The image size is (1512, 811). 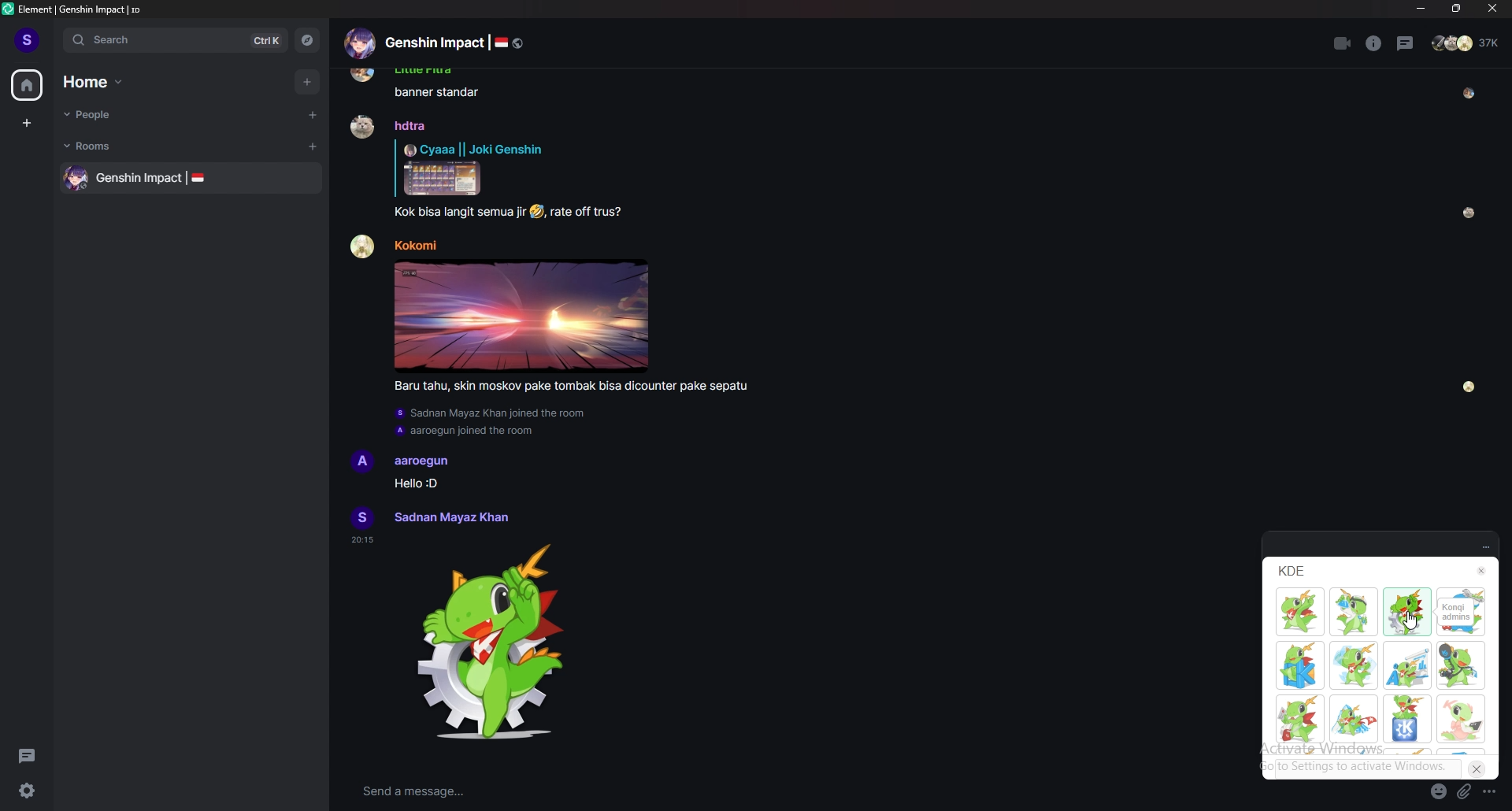 I want to click on Baru tahu, skin moskov pake tombak bisa dicounter pake sepatu, so click(x=570, y=387).